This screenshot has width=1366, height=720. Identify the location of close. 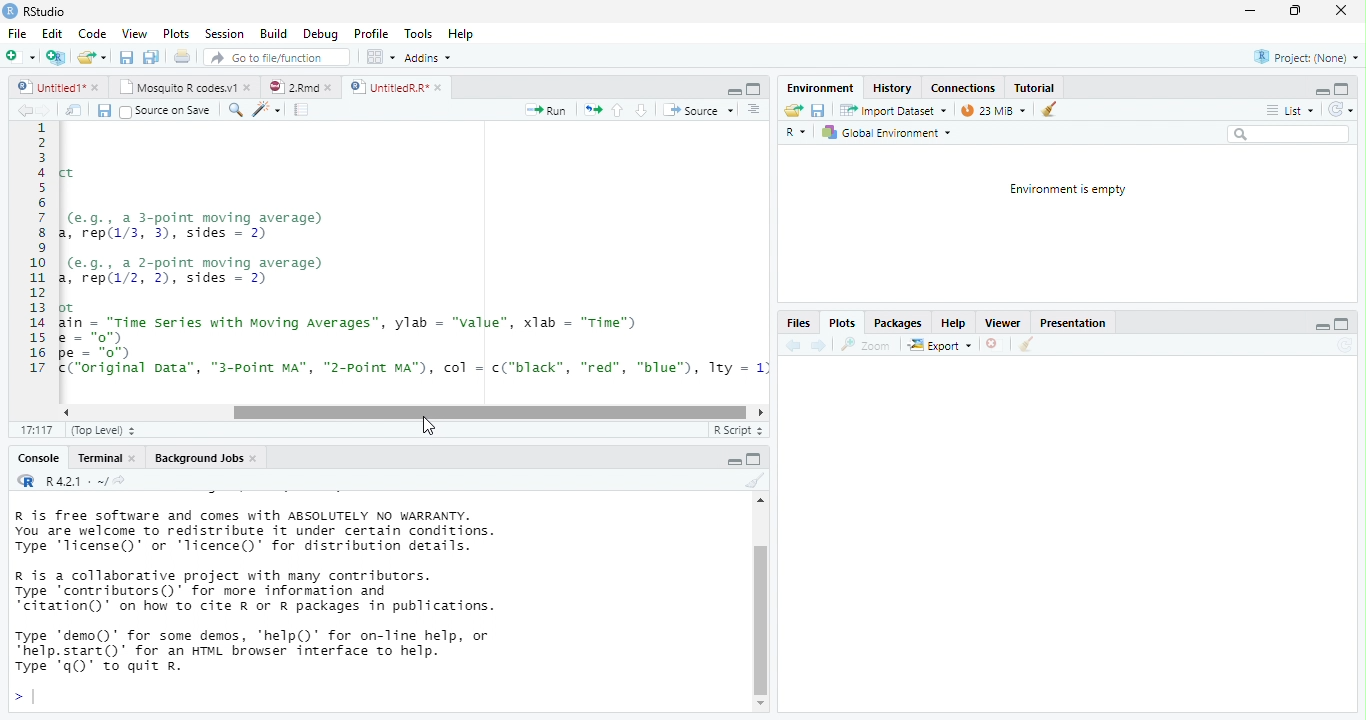
(995, 346).